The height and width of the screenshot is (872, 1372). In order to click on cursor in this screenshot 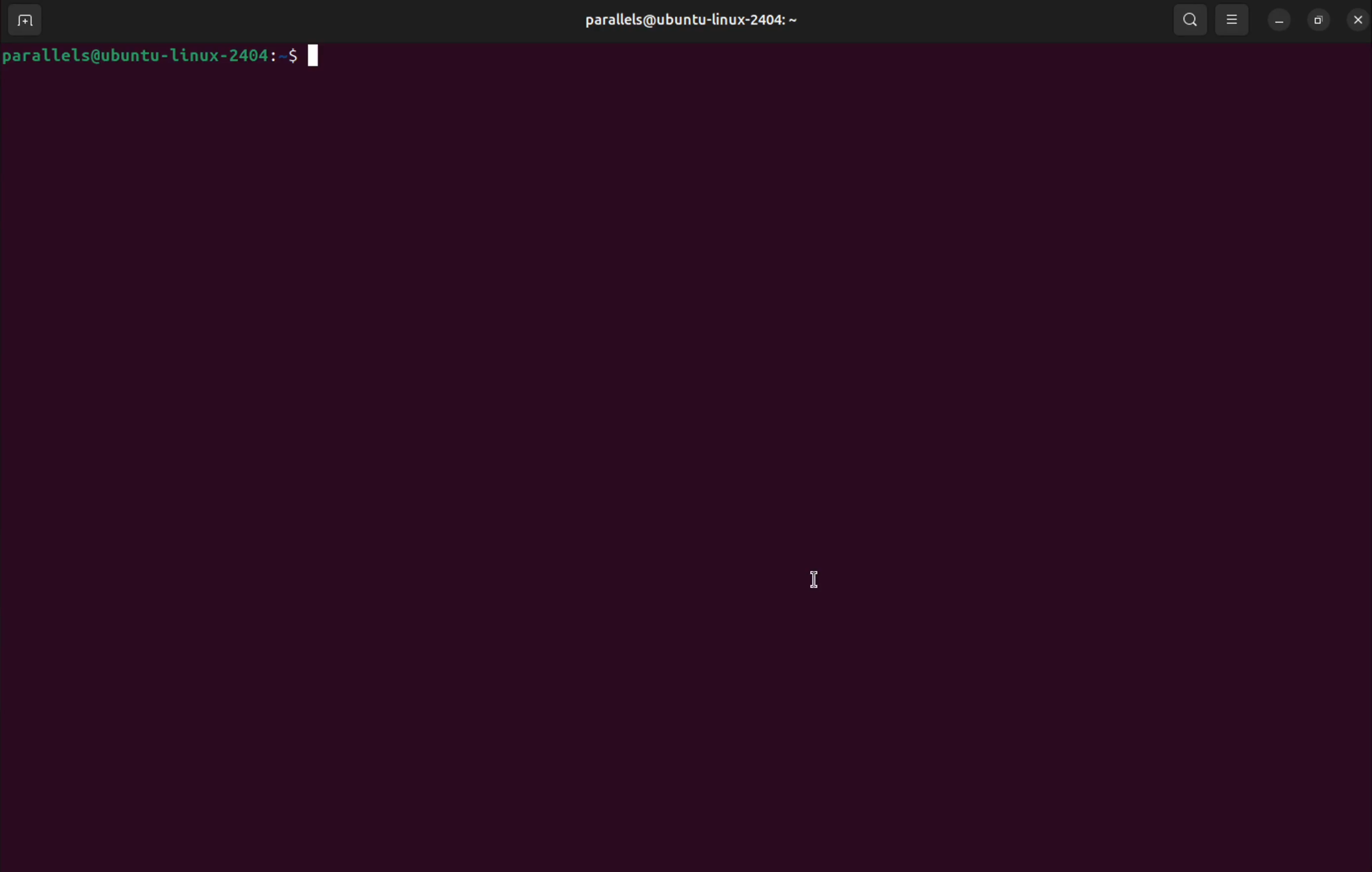, I will do `click(817, 576)`.